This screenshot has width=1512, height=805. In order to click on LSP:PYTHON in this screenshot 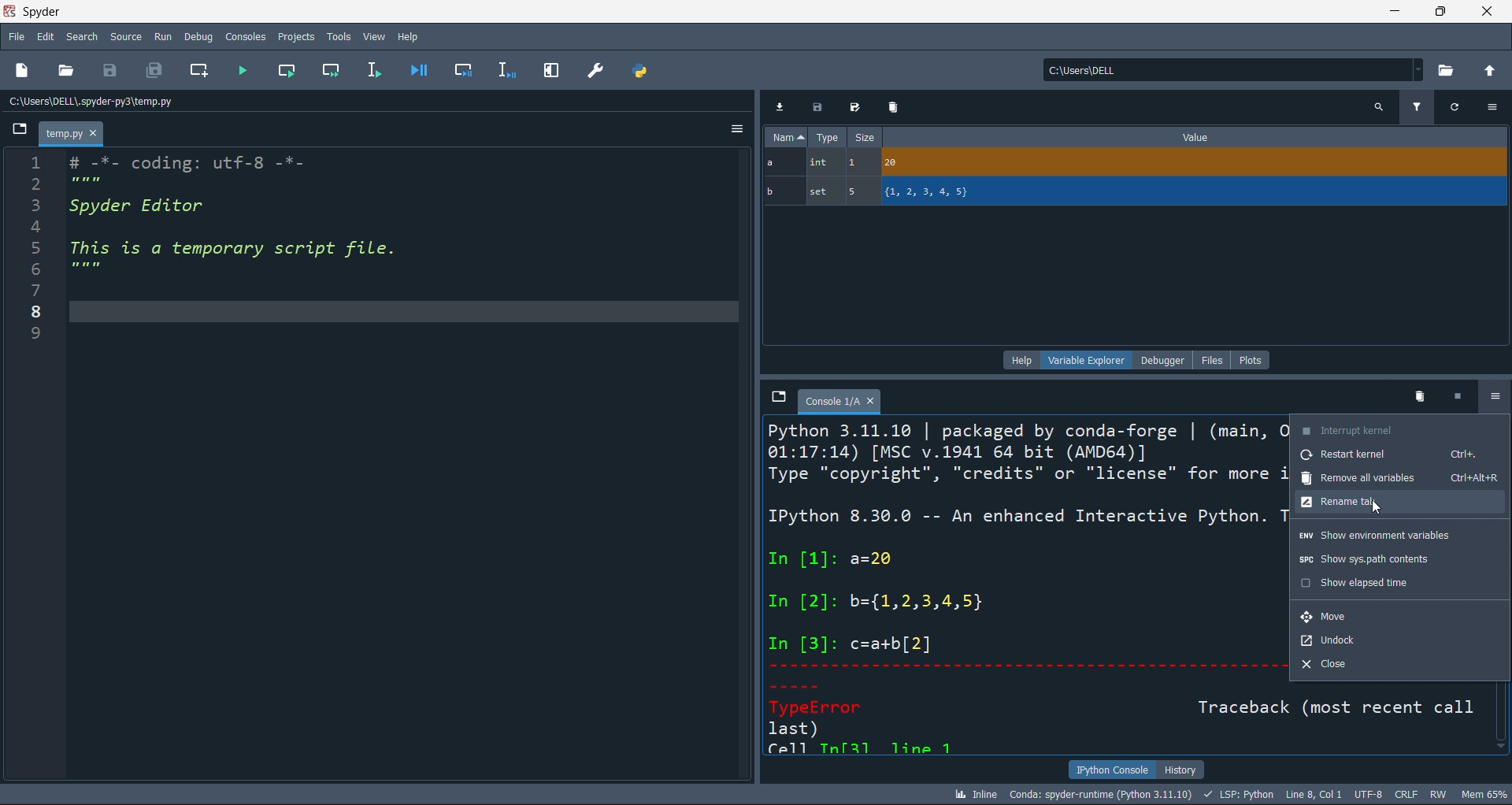, I will do `click(1236, 795)`.